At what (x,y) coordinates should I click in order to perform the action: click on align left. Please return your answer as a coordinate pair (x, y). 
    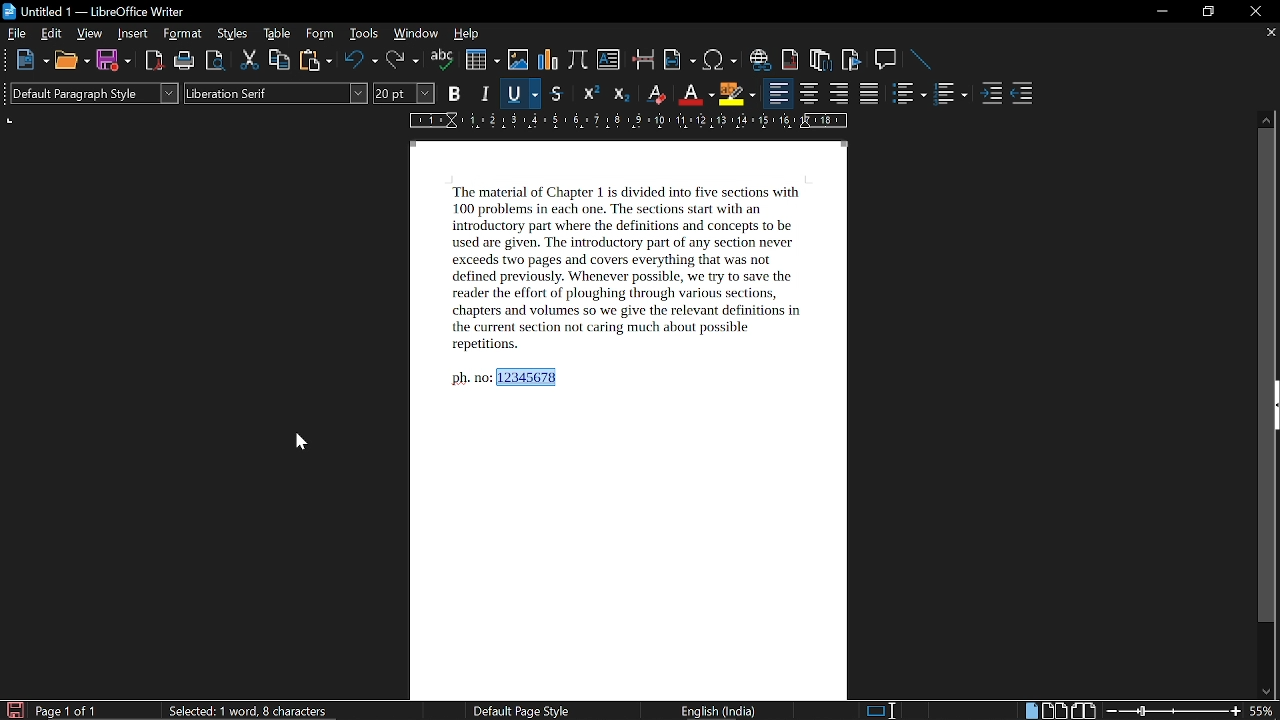
    Looking at the image, I should click on (777, 95).